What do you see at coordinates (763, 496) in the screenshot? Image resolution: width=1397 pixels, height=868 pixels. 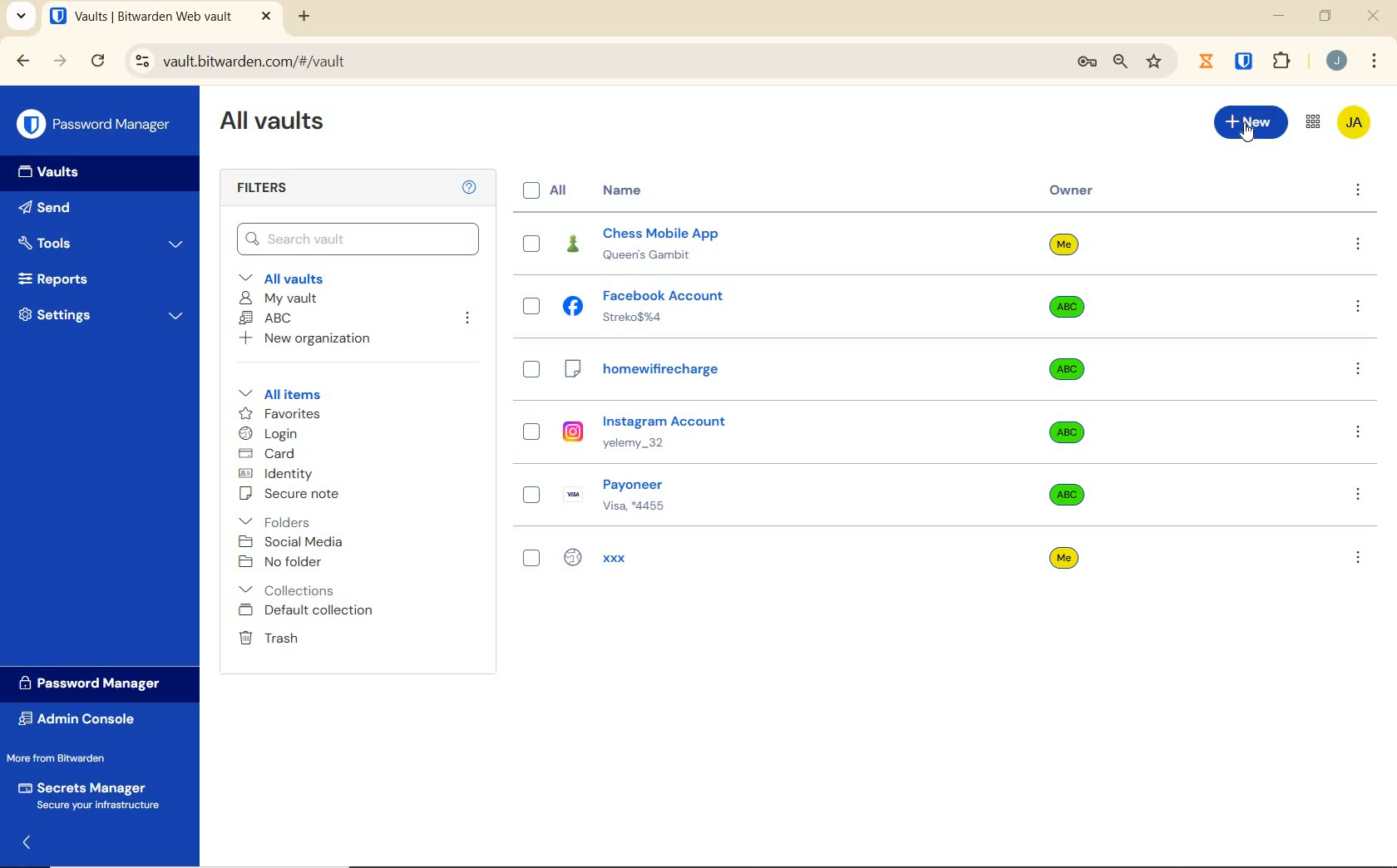 I see `payoneer` at bounding box center [763, 496].